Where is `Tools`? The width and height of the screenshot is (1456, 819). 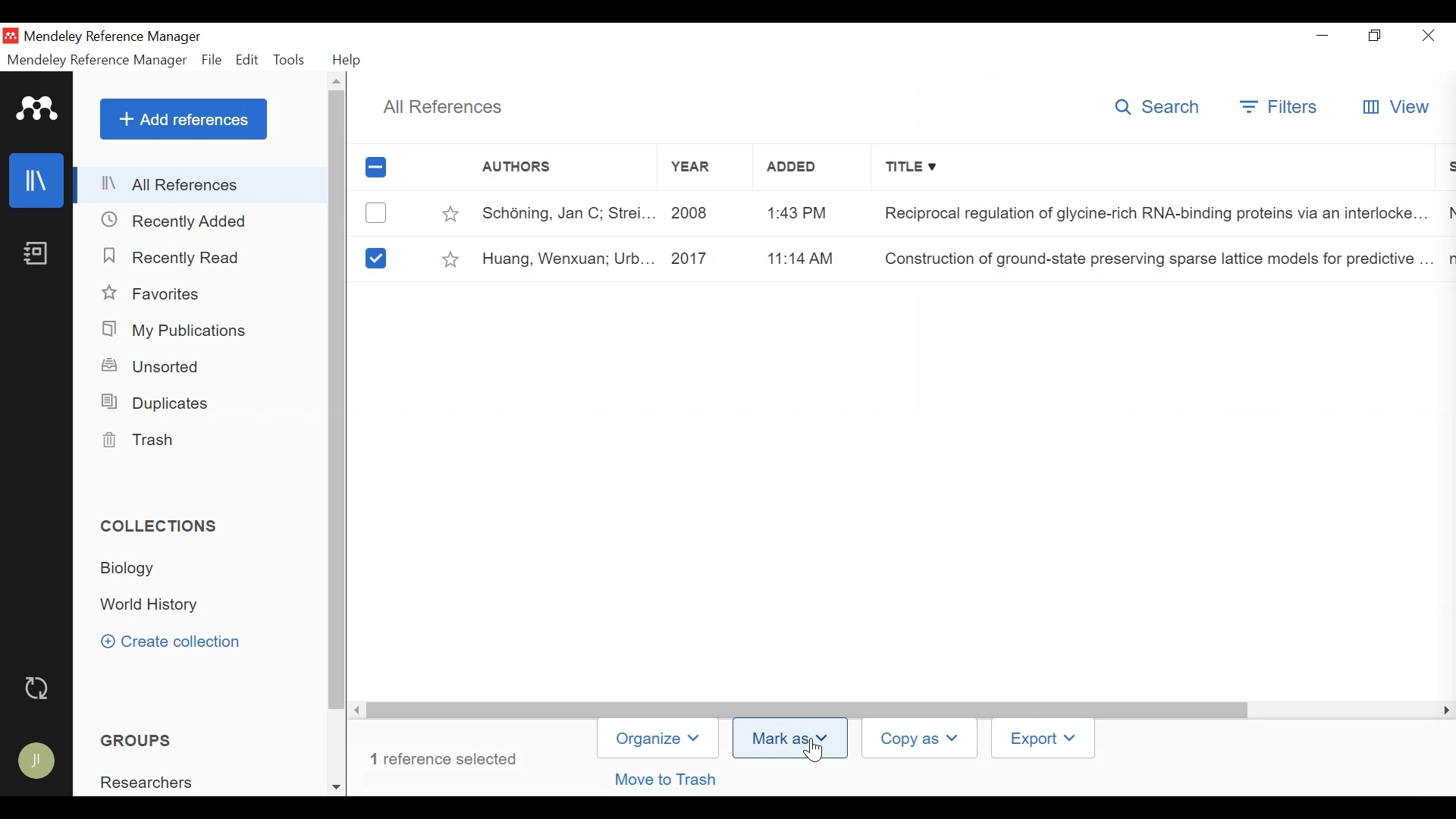
Tools is located at coordinates (290, 59).